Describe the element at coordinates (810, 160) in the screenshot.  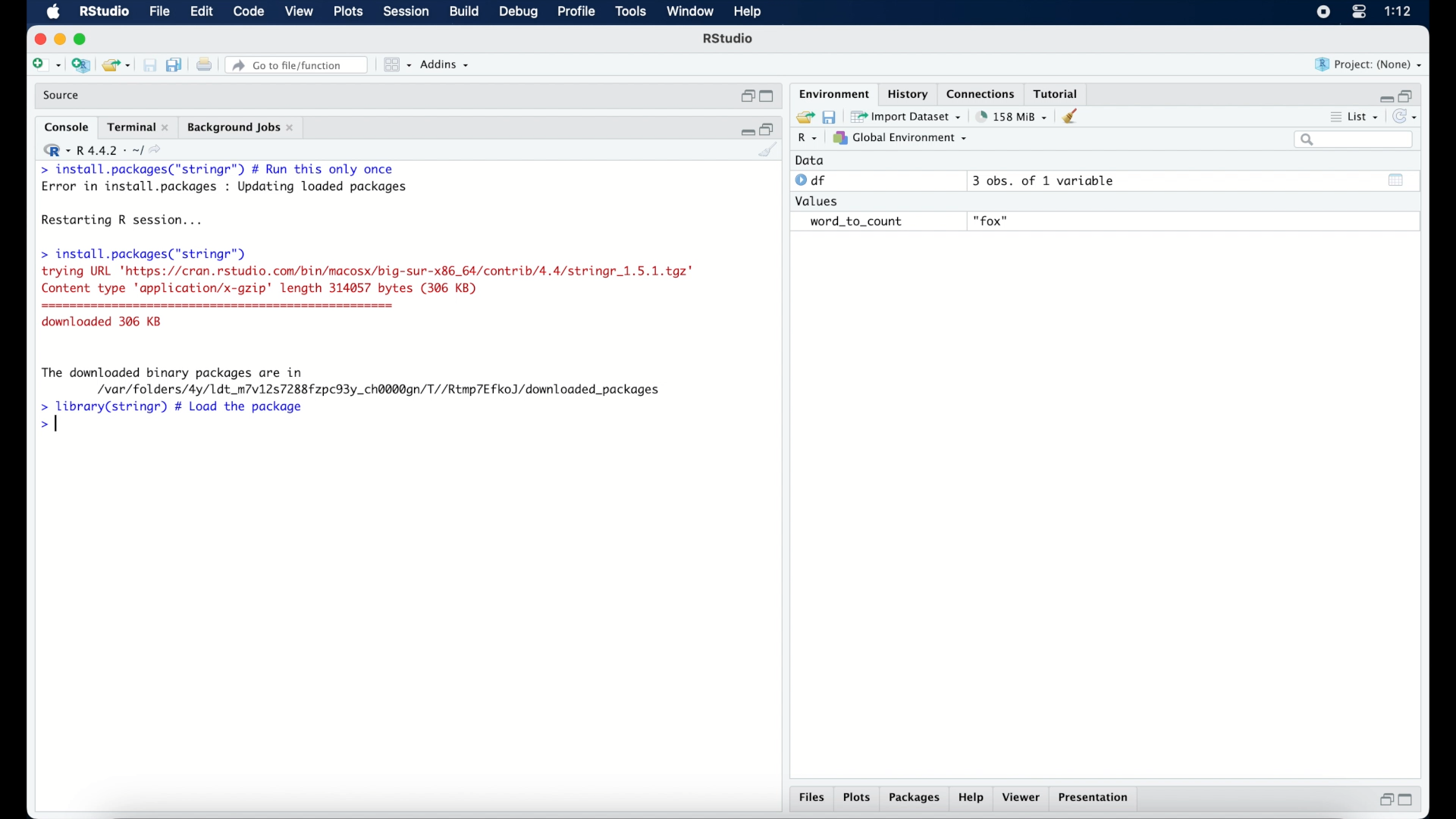
I see `data` at that location.